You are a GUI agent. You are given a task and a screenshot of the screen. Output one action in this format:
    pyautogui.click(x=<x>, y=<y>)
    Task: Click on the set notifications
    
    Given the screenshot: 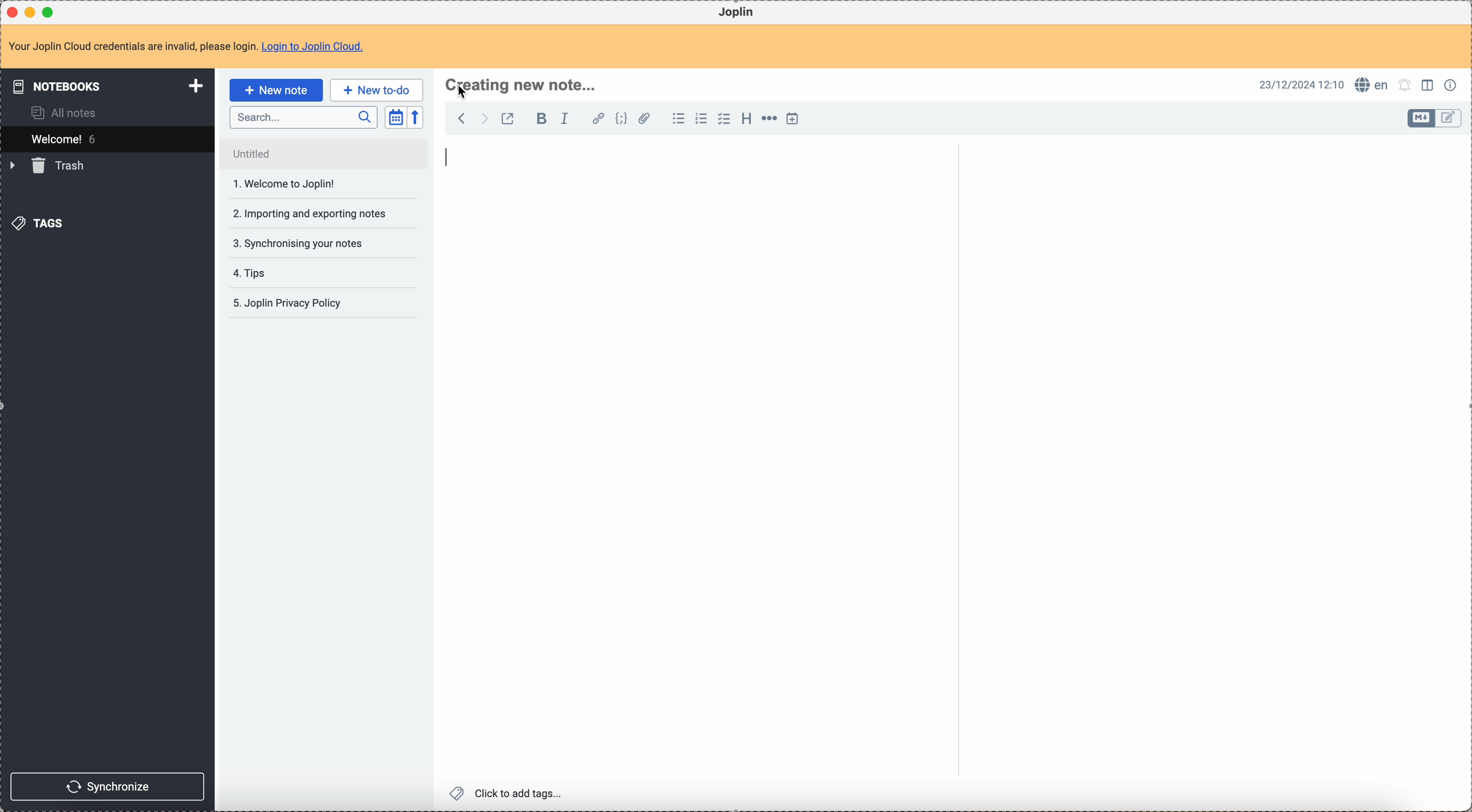 What is the action you would take?
    pyautogui.click(x=1406, y=86)
    